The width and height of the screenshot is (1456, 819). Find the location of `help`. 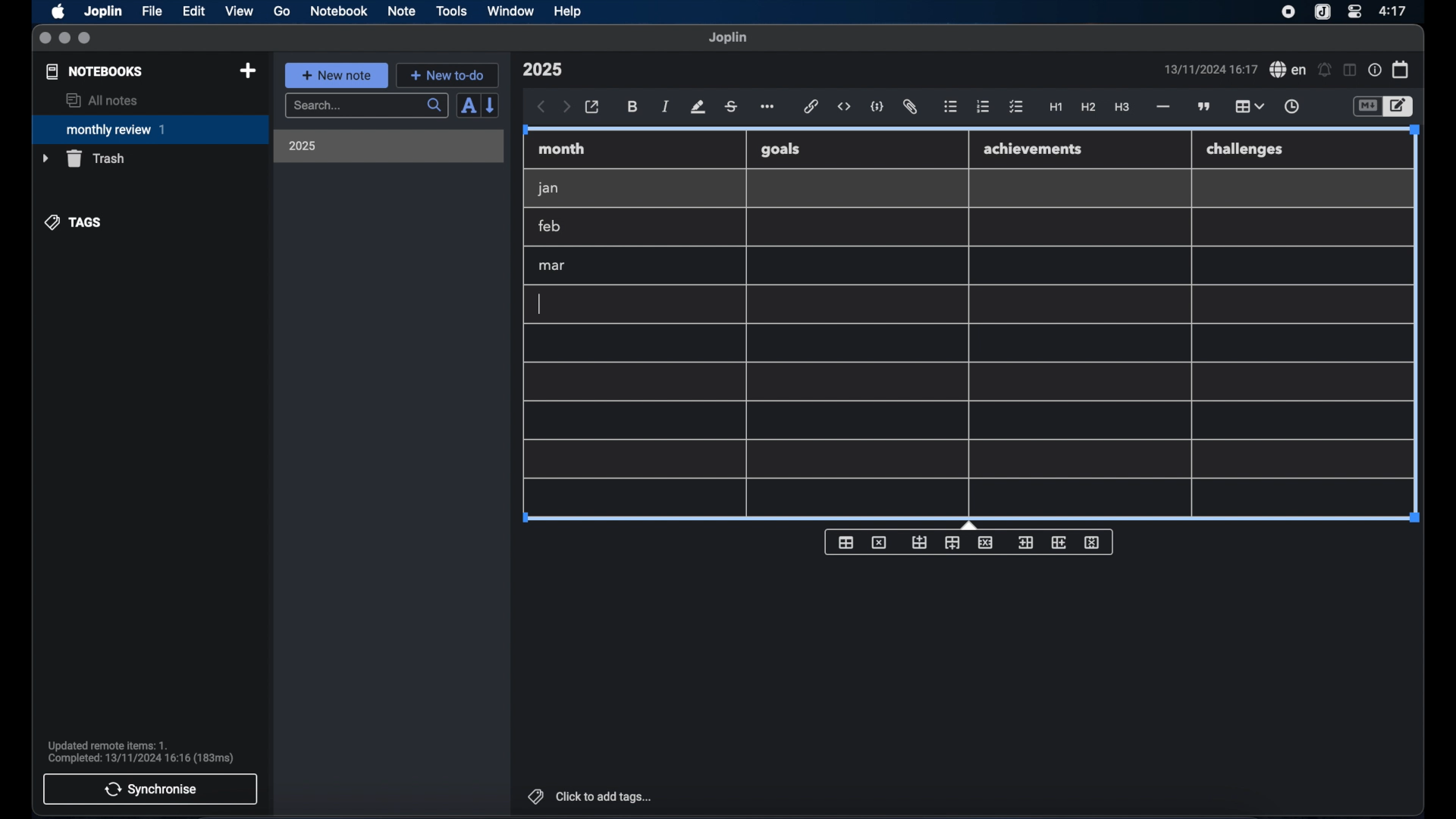

help is located at coordinates (569, 11).